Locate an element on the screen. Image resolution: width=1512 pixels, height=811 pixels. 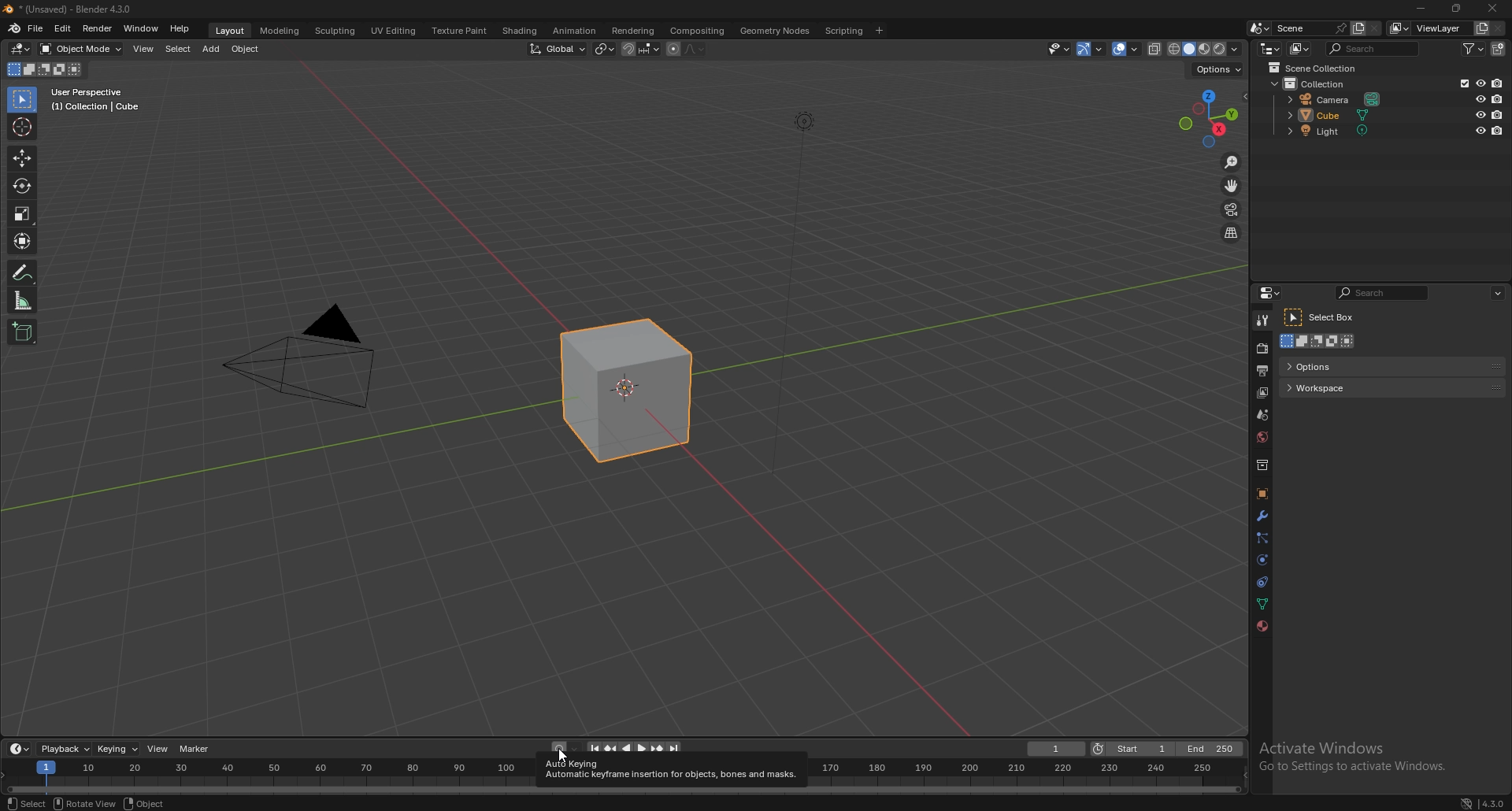
modeling is located at coordinates (281, 31).